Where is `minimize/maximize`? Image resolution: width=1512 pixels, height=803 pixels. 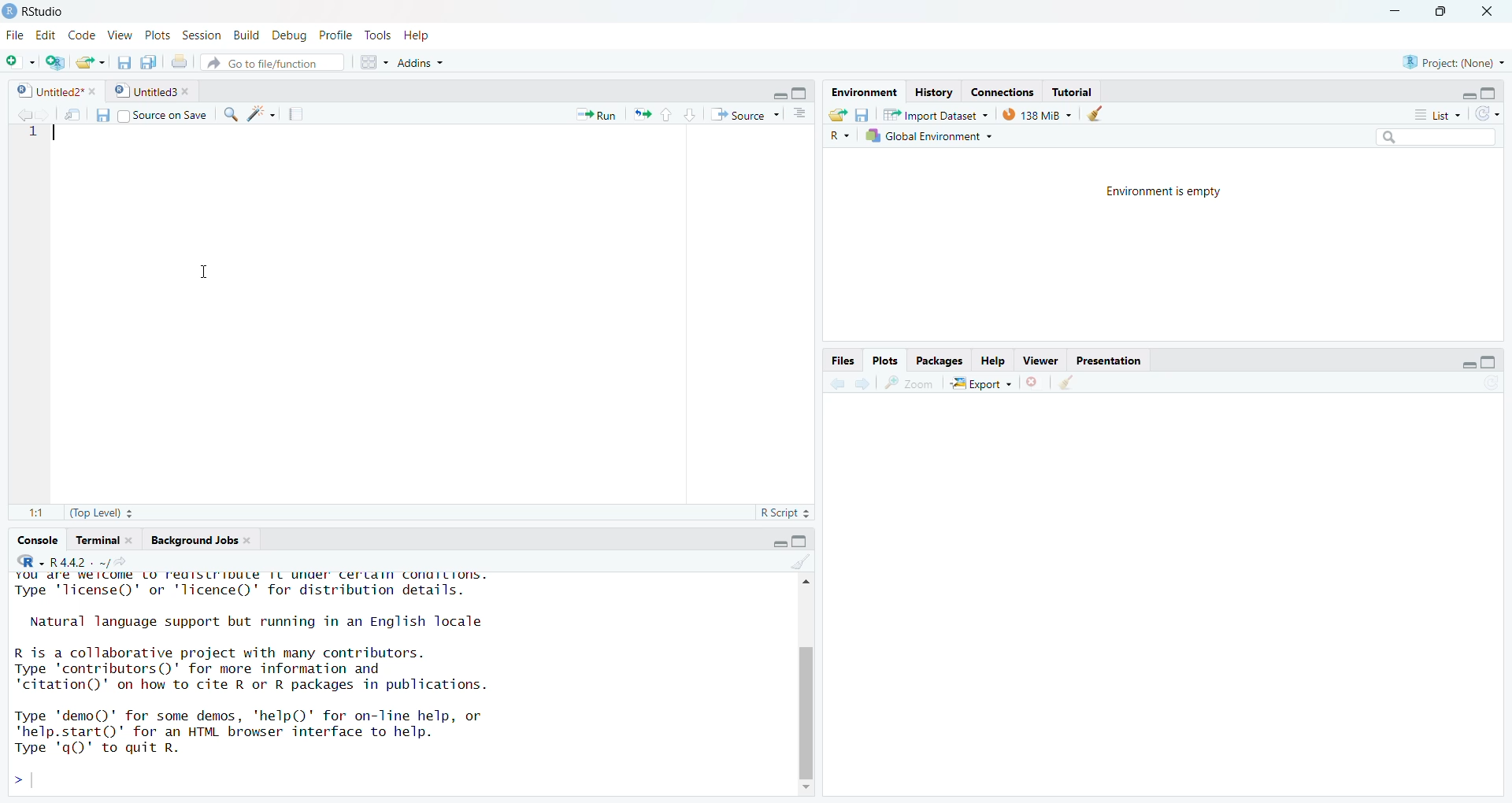 minimize/maximize is located at coordinates (784, 91).